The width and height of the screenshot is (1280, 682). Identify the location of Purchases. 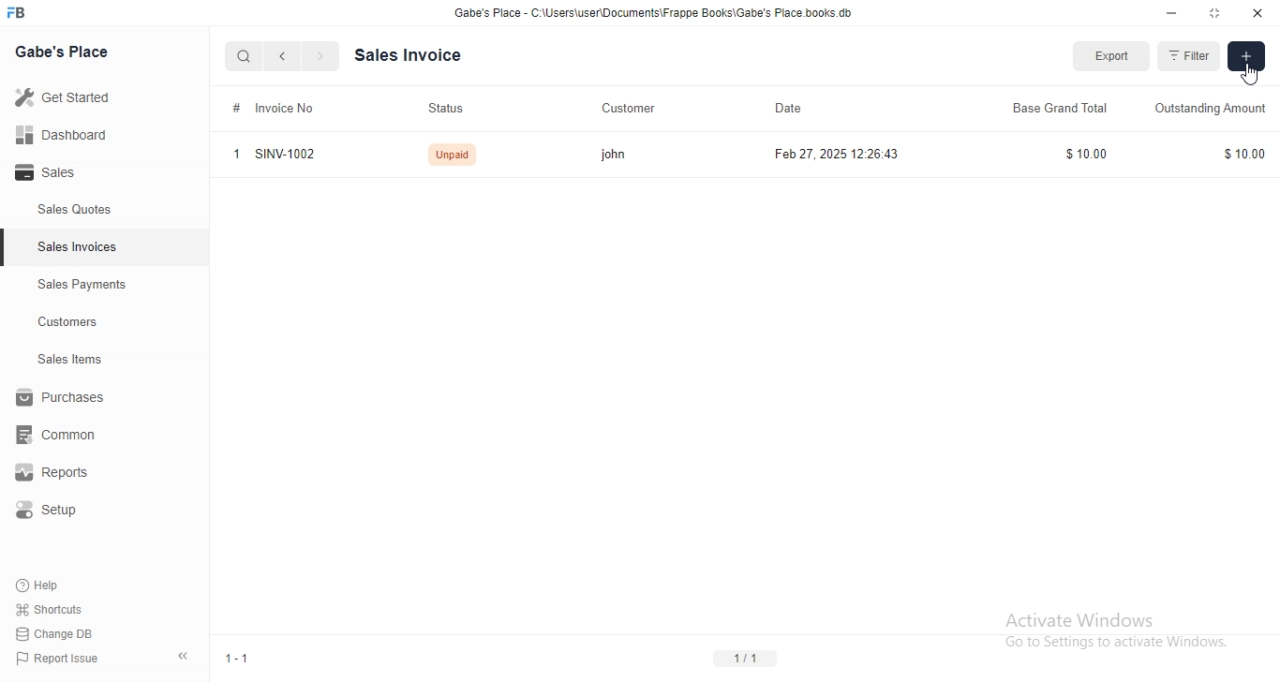
(64, 400).